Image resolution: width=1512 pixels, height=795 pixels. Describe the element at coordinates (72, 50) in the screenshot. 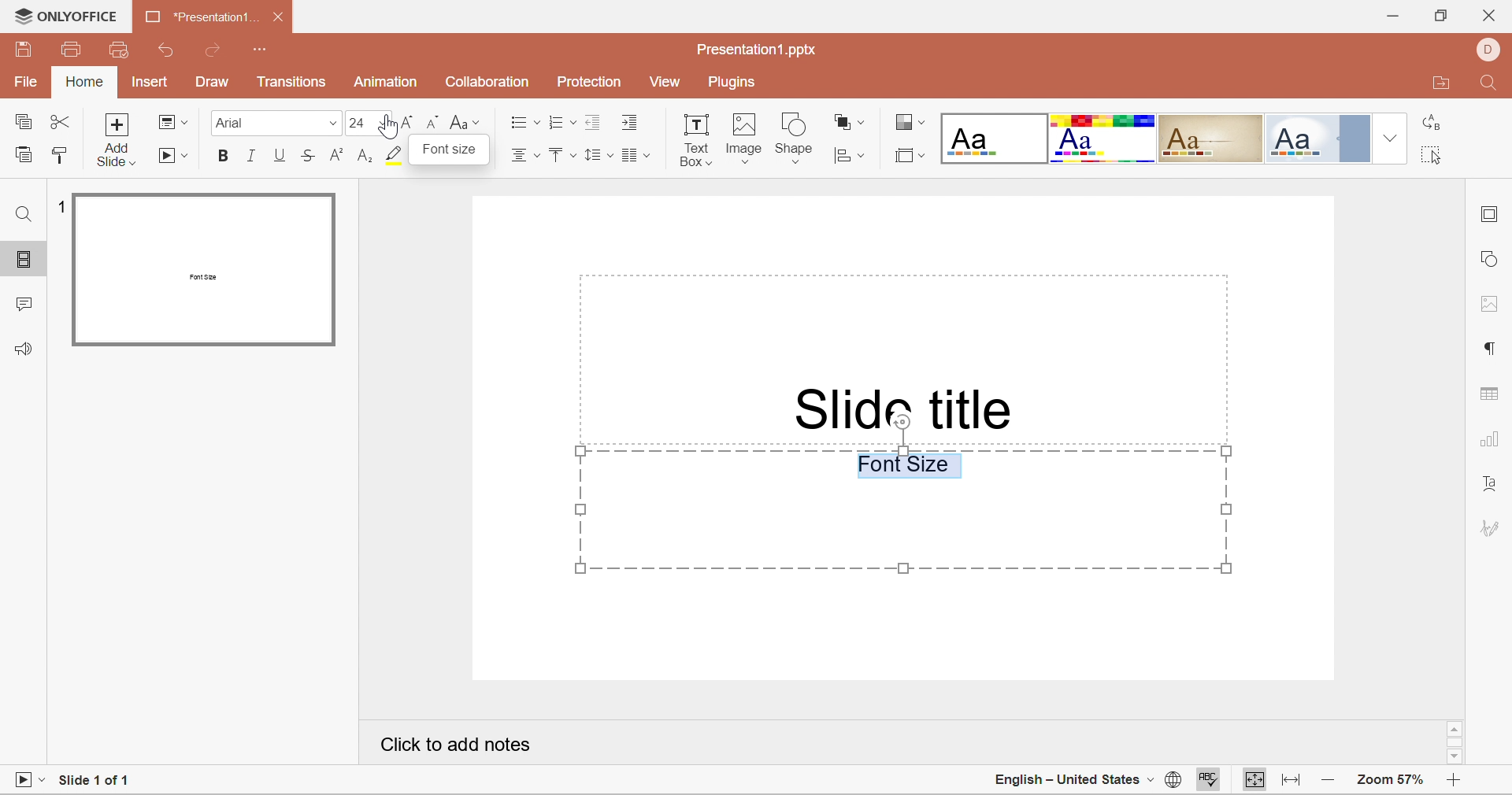

I see `Print` at that location.